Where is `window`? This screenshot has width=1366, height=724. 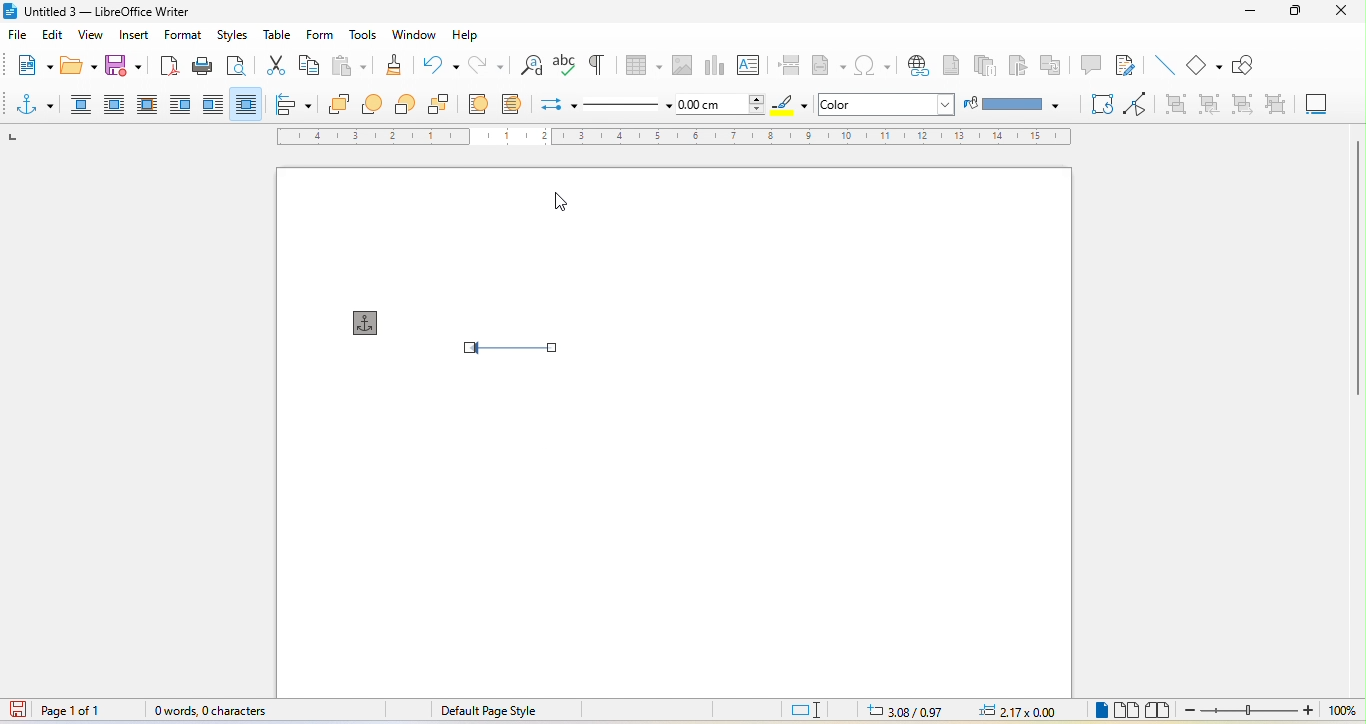
window is located at coordinates (414, 35).